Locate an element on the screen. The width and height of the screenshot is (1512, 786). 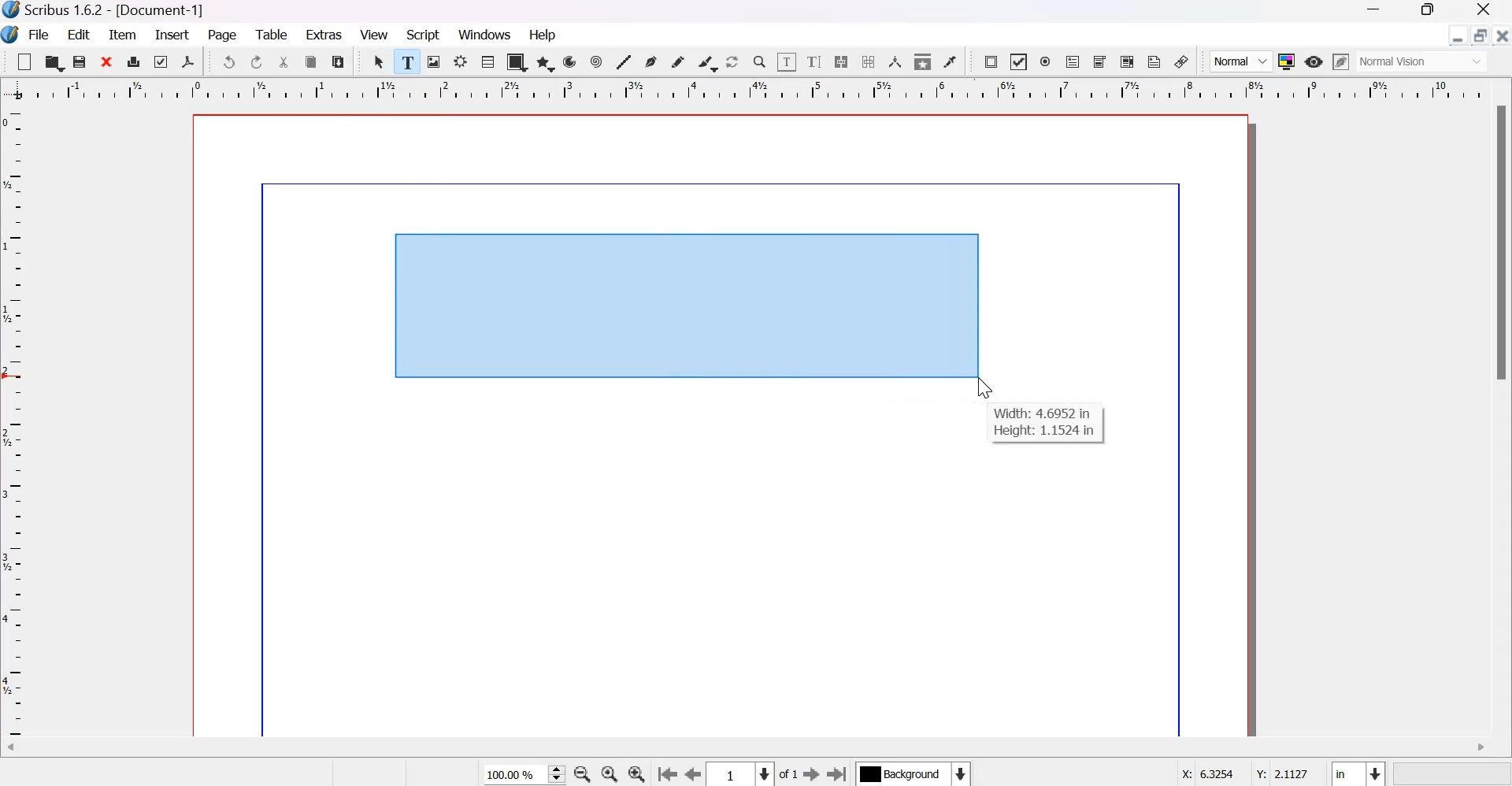
Text Annotation is located at coordinates (1154, 61).